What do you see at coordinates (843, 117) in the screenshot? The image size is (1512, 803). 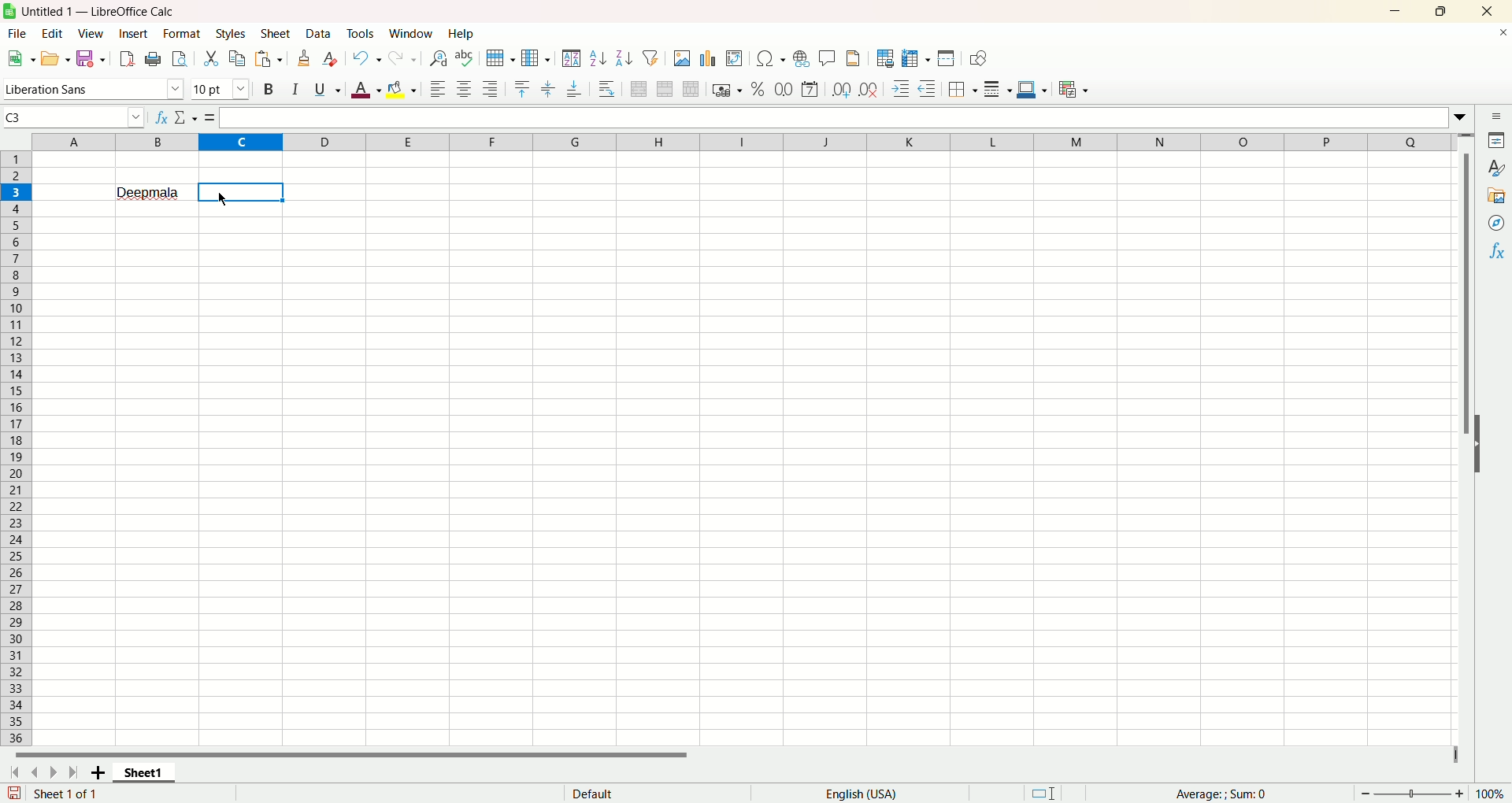 I see `Input line` at bounding box center [843, 117].